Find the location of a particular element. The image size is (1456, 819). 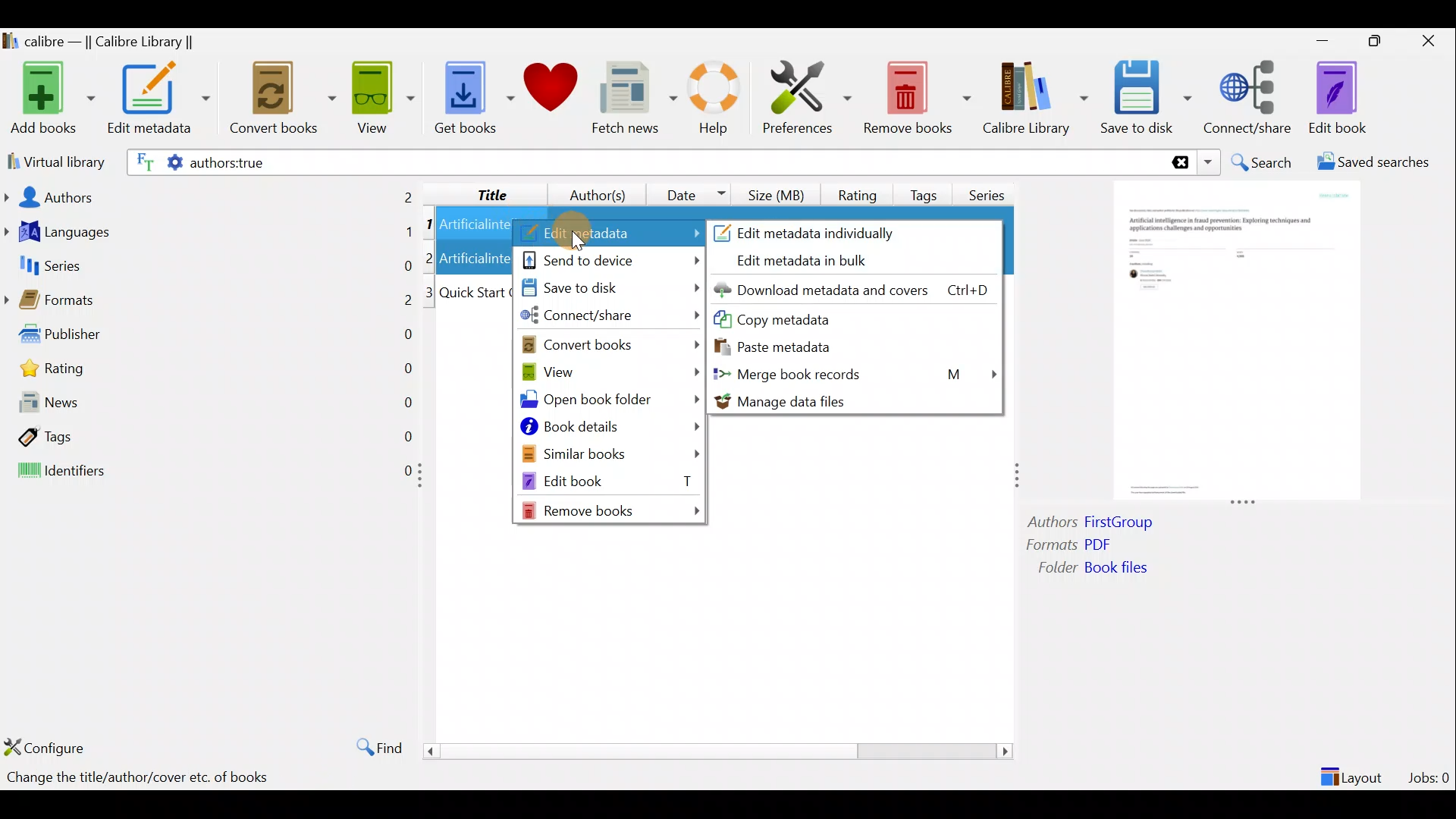

Save to disk is located at coordinates (1146, 98).